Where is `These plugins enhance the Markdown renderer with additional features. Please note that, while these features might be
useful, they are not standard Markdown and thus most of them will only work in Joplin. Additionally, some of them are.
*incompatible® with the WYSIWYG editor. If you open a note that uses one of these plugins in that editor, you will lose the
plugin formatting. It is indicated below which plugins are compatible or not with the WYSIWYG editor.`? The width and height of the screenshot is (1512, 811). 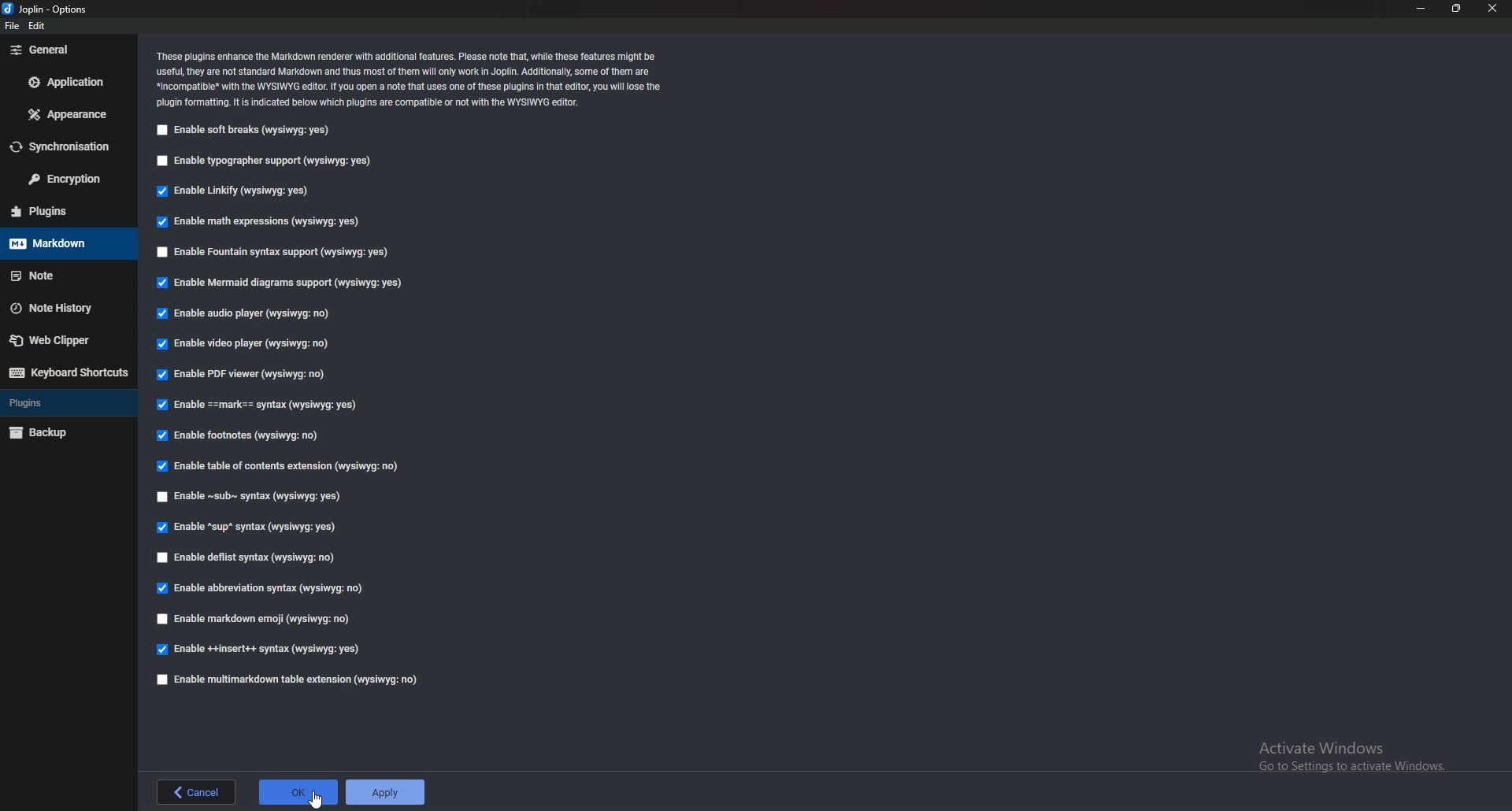
These plugins enhance the Markdown renderer with additional features. Please note that, while these features might be
useful, they are not standard Markdown and thus most of them will only work in Joplin. Additionally, some of them are.
*incompatible® with the WYSIWYG editor. If you open a note that uses one of these plugins in that editor, you will lose the
plugin formatting. It is indicated below which plugins are compatible or not with the WYSIWYG editor. is located at coordinates (409, 79).